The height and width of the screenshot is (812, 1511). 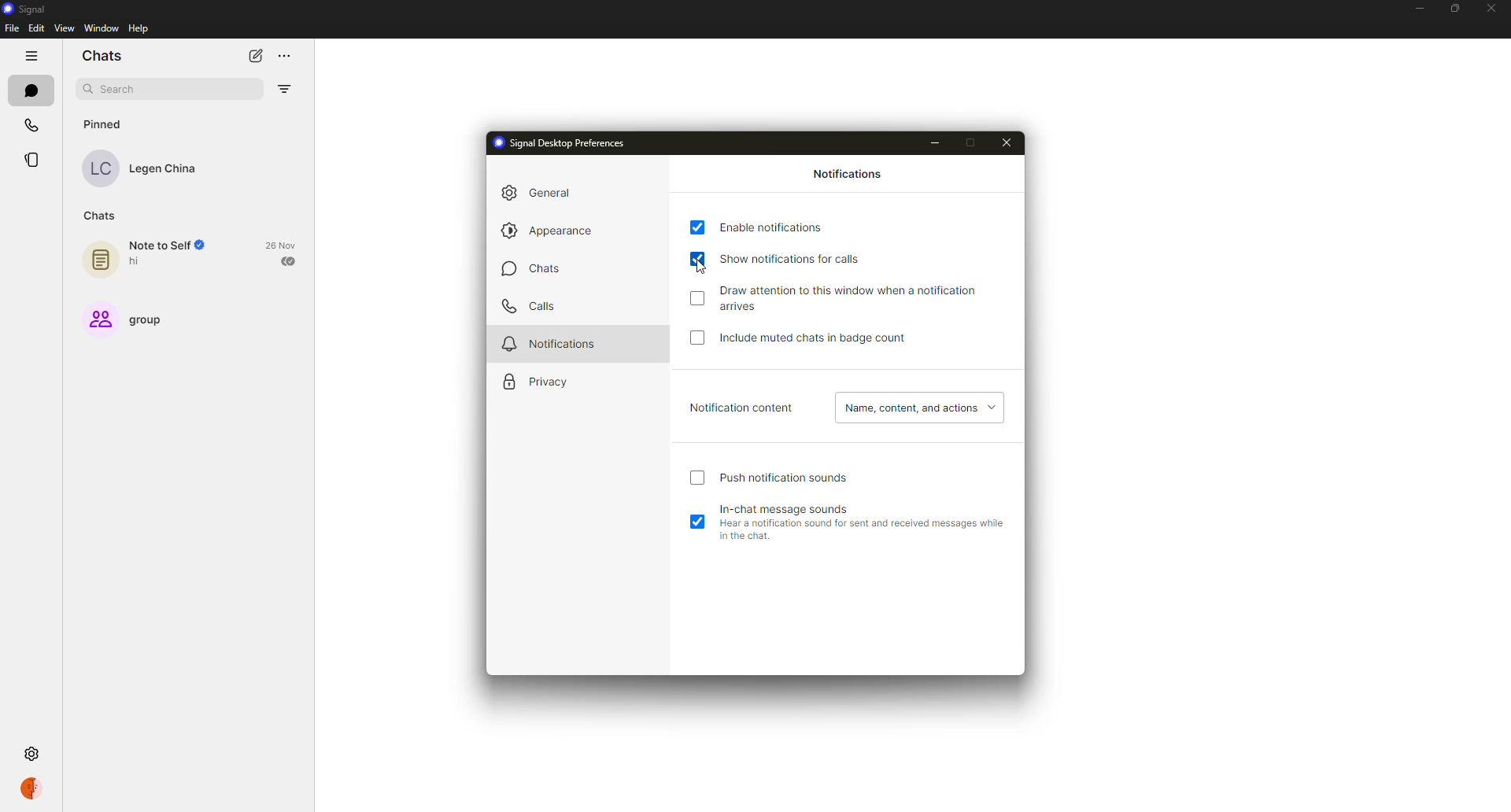 I want to click on notifications, so click(x=843, y=172).